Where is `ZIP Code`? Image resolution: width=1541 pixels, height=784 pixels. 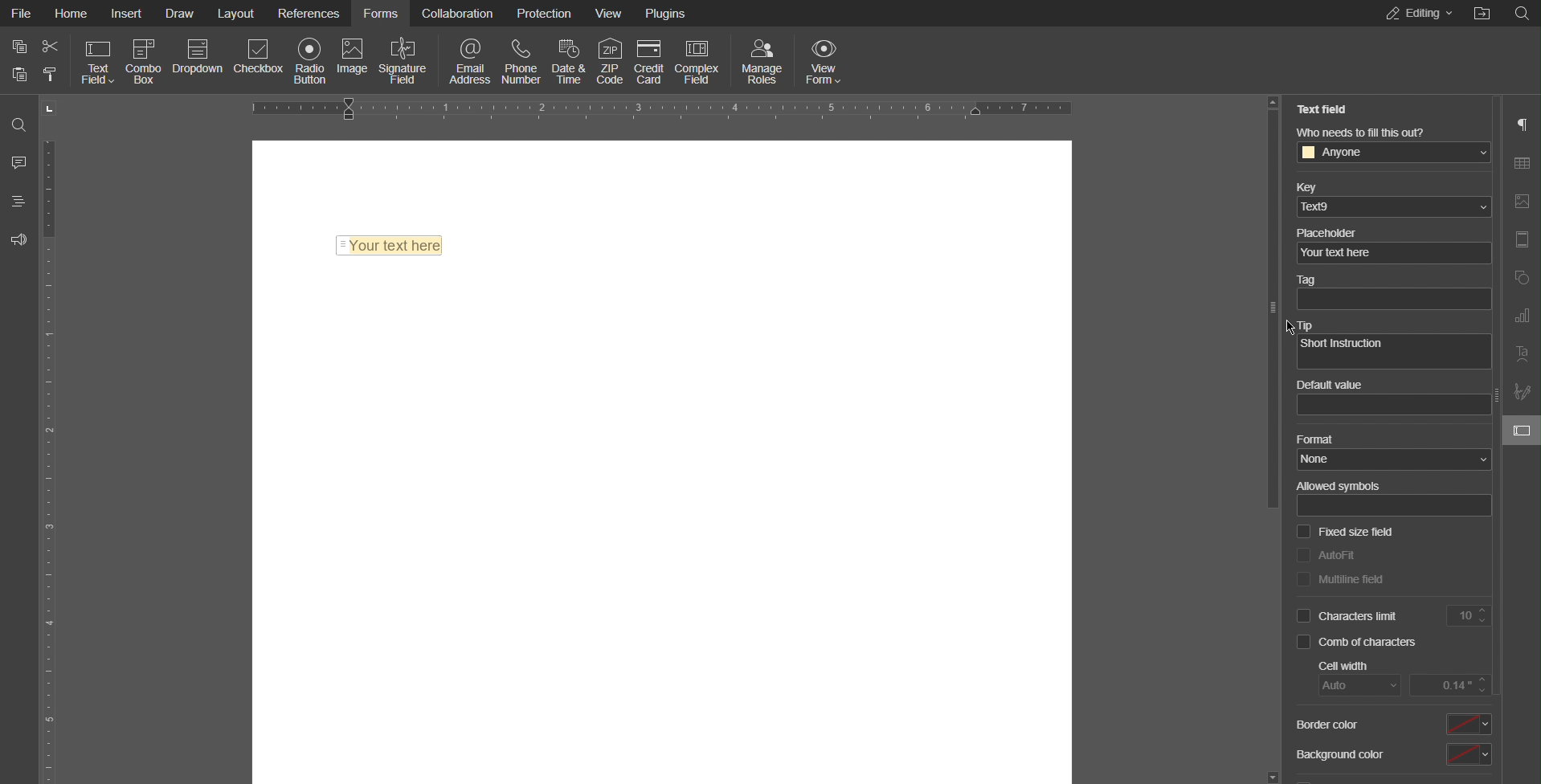 ZIP Code is located at coordinates (609, 59).